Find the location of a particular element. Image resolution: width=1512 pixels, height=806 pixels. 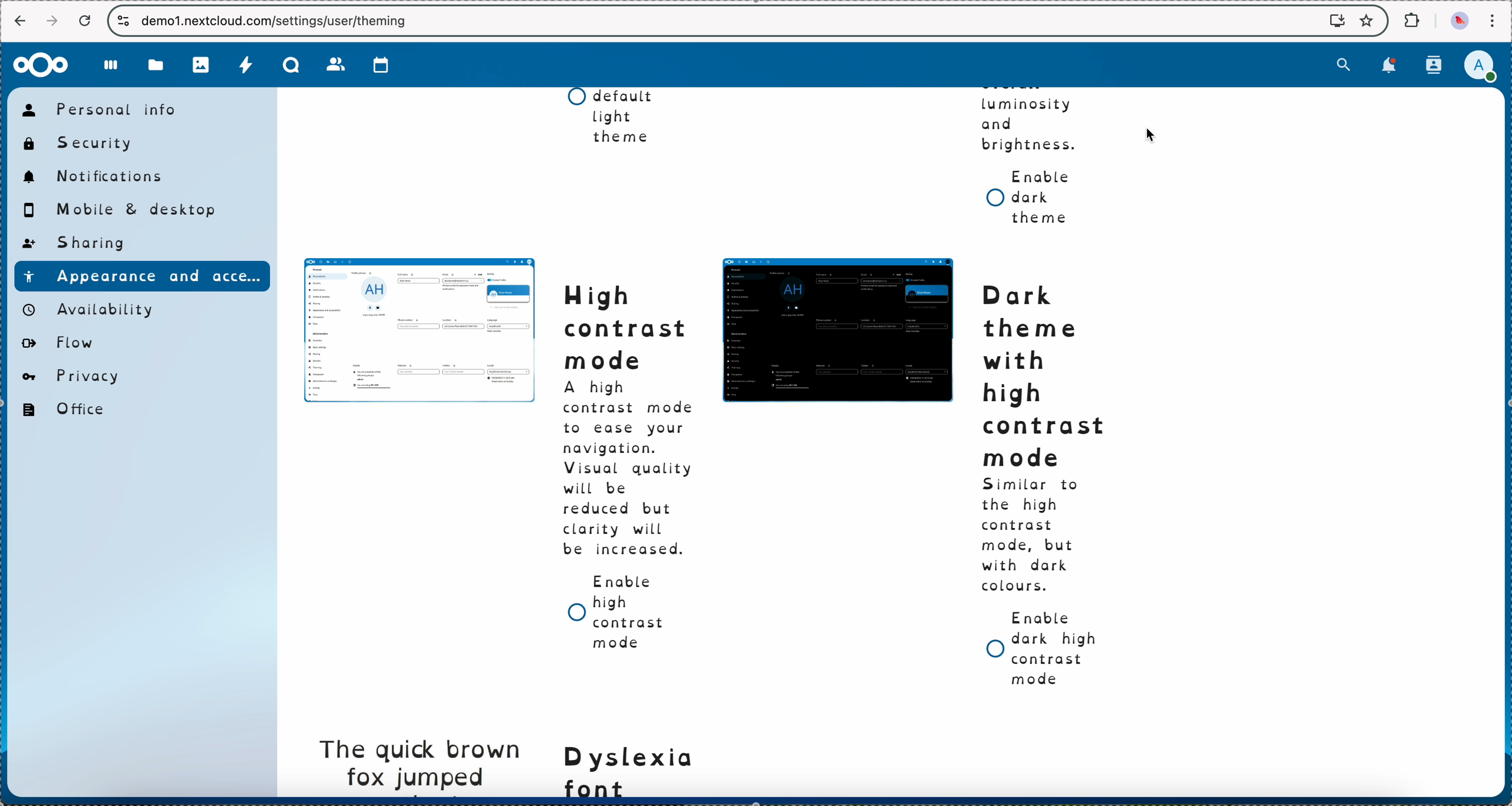

calendar is located at coordinates (376, 65).